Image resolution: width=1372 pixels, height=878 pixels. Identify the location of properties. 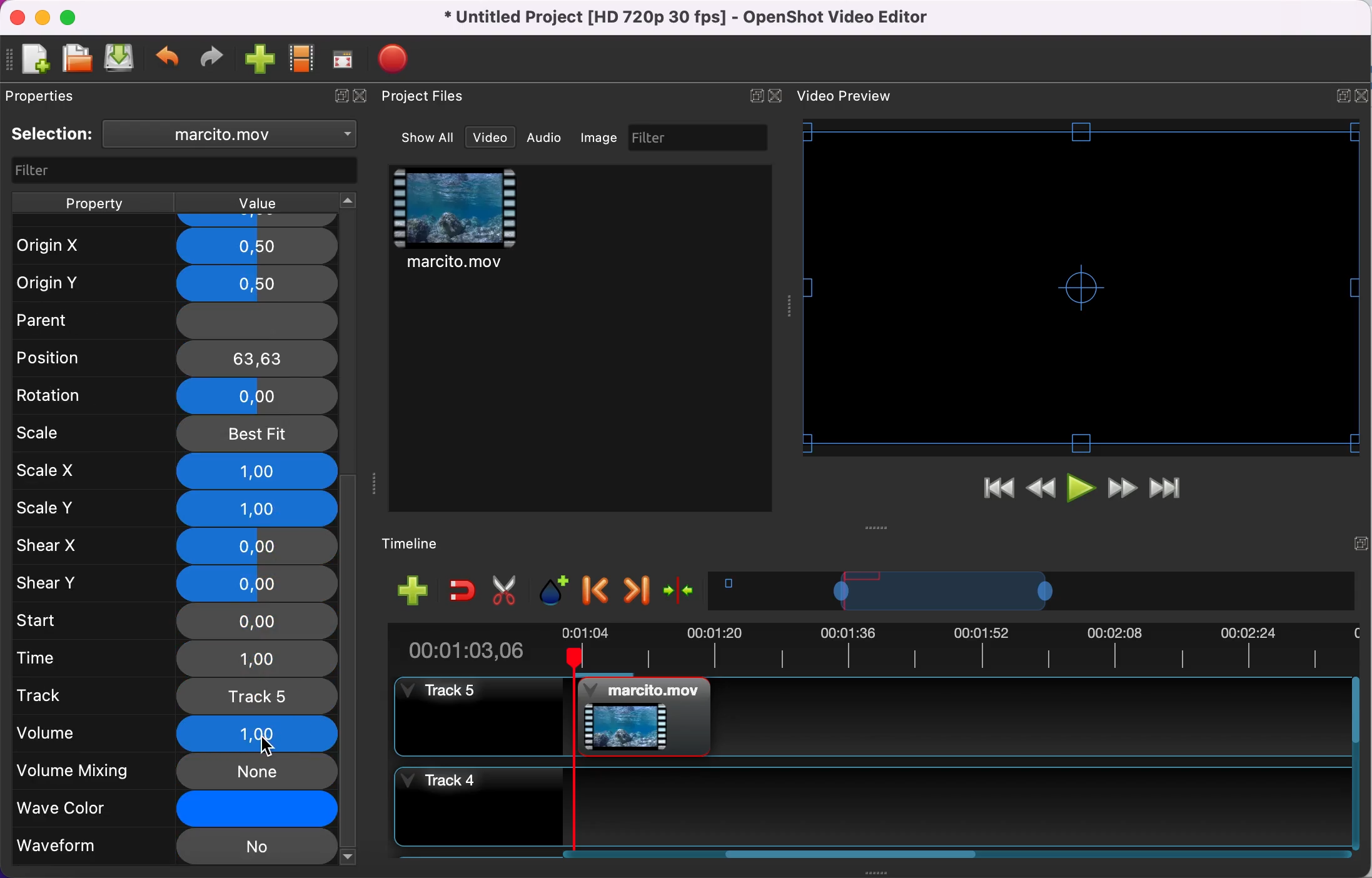
(46, 96).